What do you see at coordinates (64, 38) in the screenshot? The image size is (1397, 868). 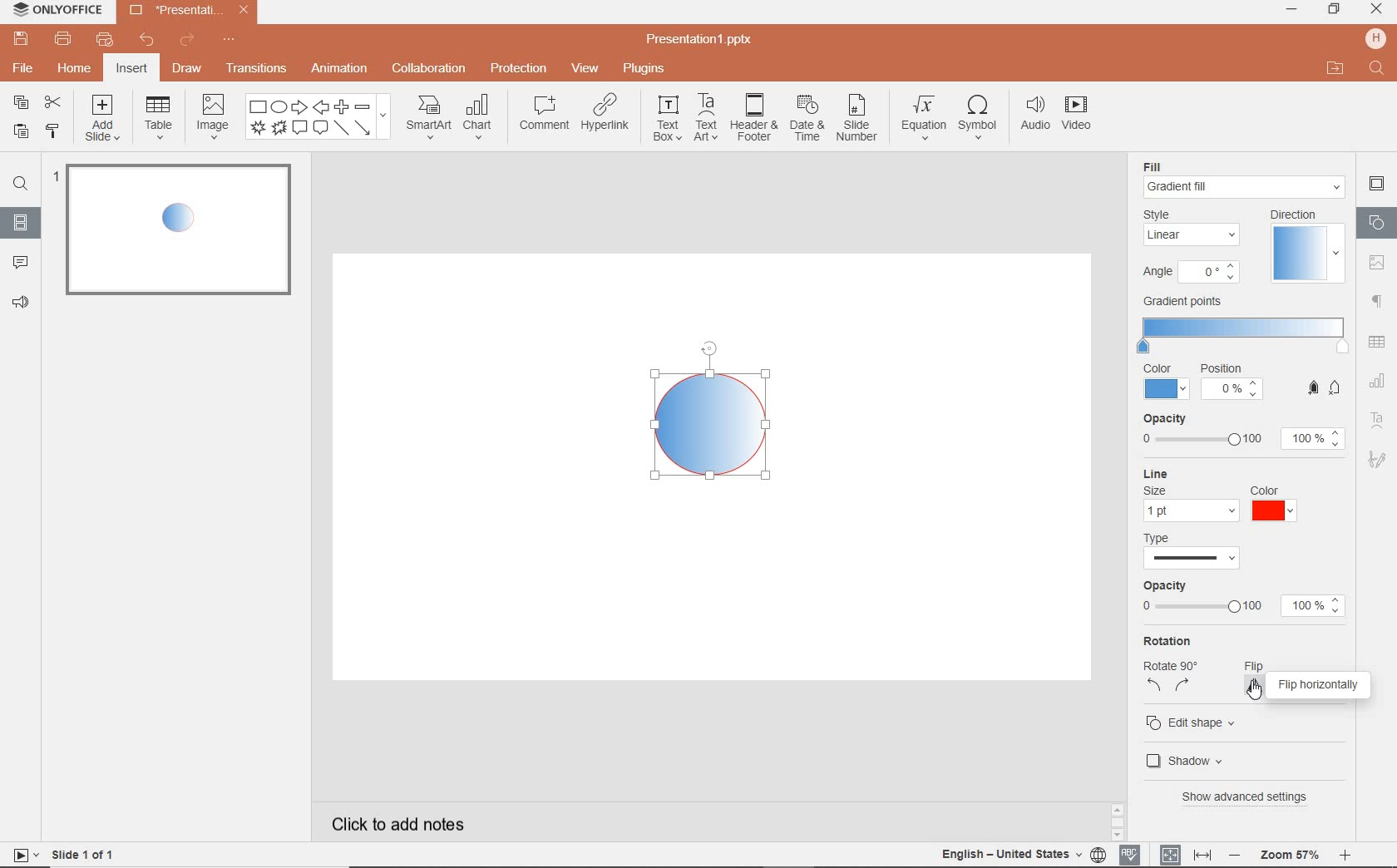 I see `print` at bounding box center [64, 38].